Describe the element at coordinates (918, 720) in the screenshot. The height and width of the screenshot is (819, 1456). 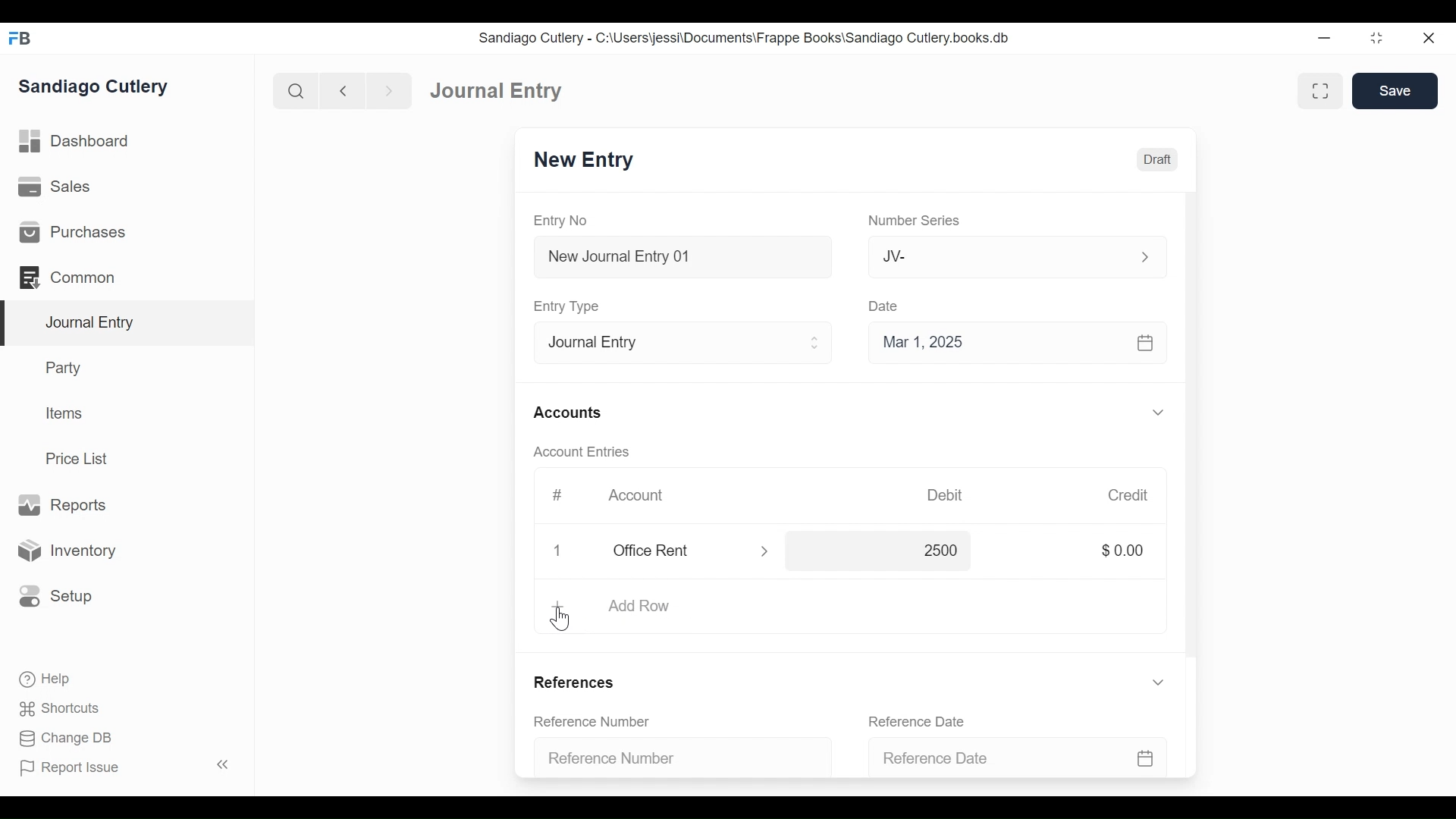
I see `Reference Date` at that location.